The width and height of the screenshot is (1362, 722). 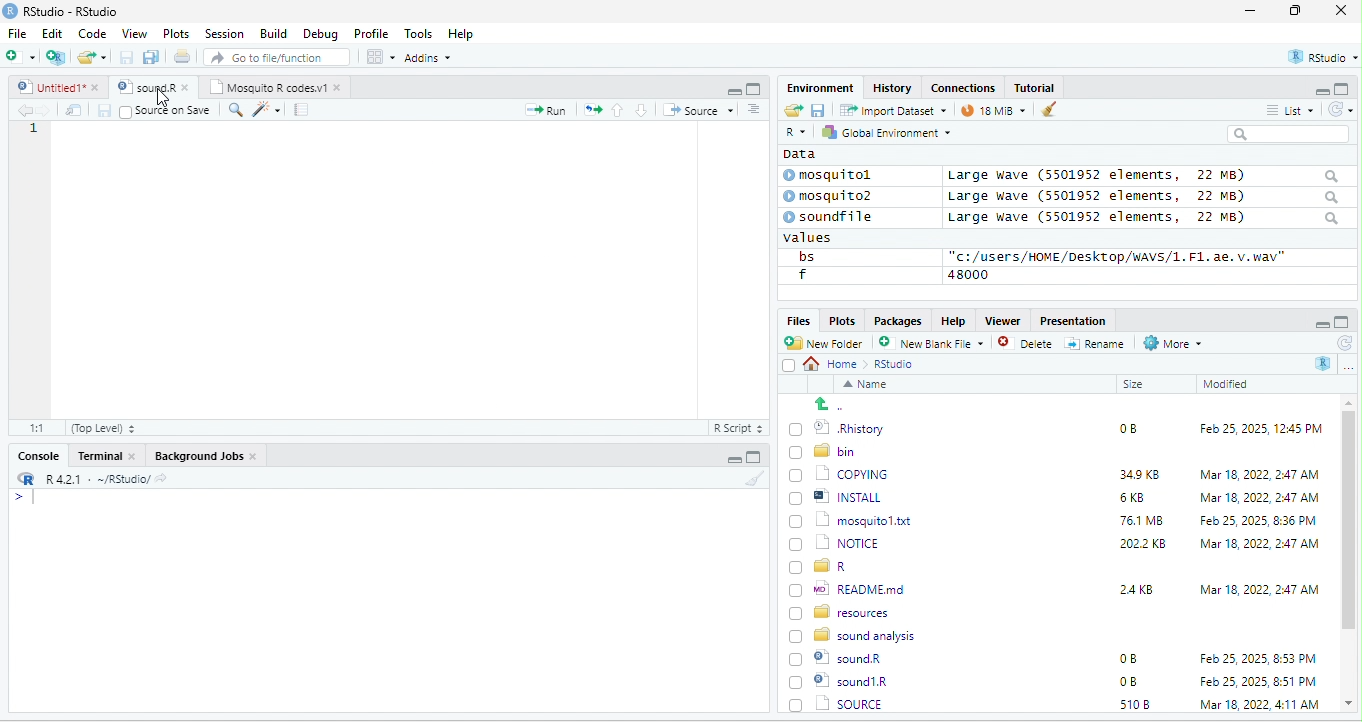 What do you see at coordinates (103, 110) in the screenshot?
I see `save` at bounding box center [103, 110].